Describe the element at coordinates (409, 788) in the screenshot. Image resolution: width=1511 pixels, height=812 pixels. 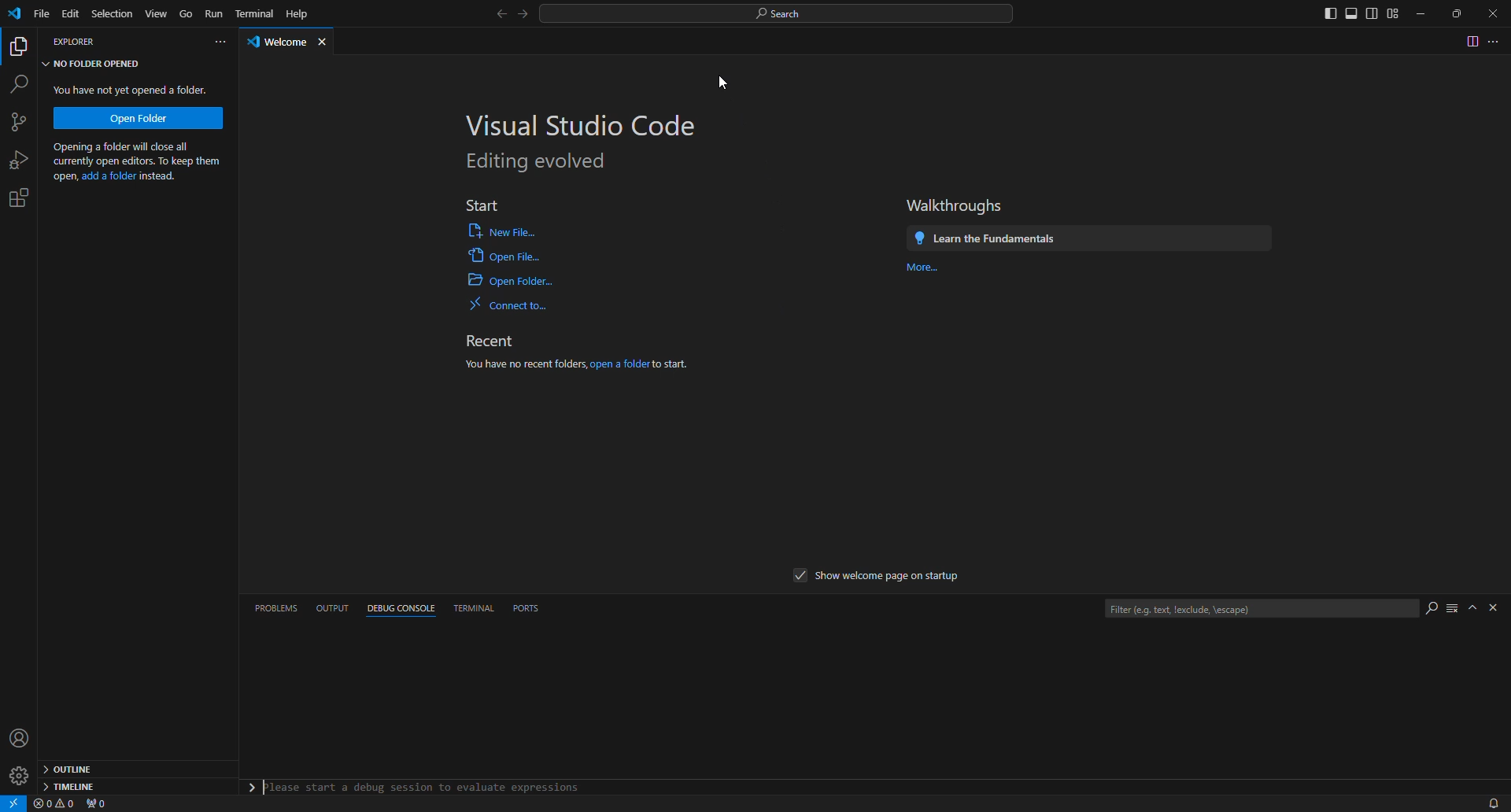
I see `please start a debug session to evaluate expressions` at that location.